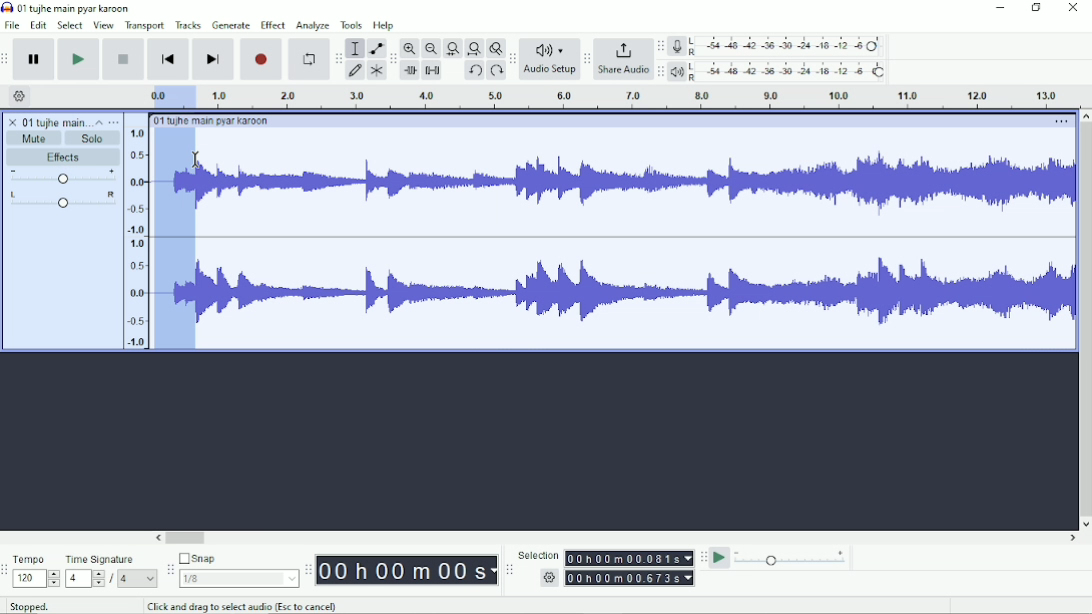 This screenshot has height=614, width=1092. I want to click on Volume, so click(63, 178).